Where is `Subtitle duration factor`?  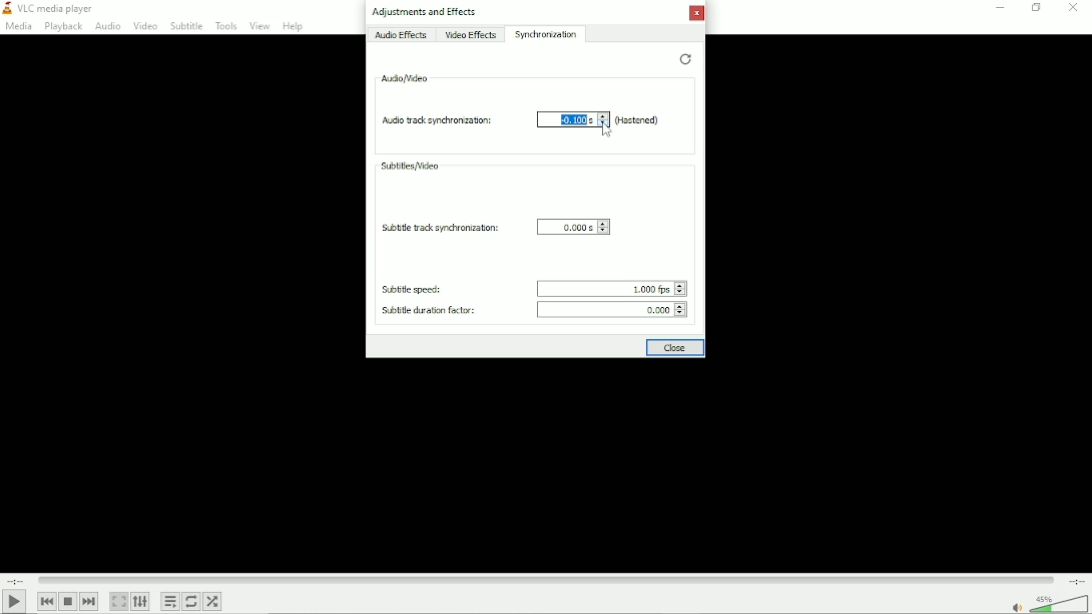
Subtitle duration factor is located at coordinates (428, 311).